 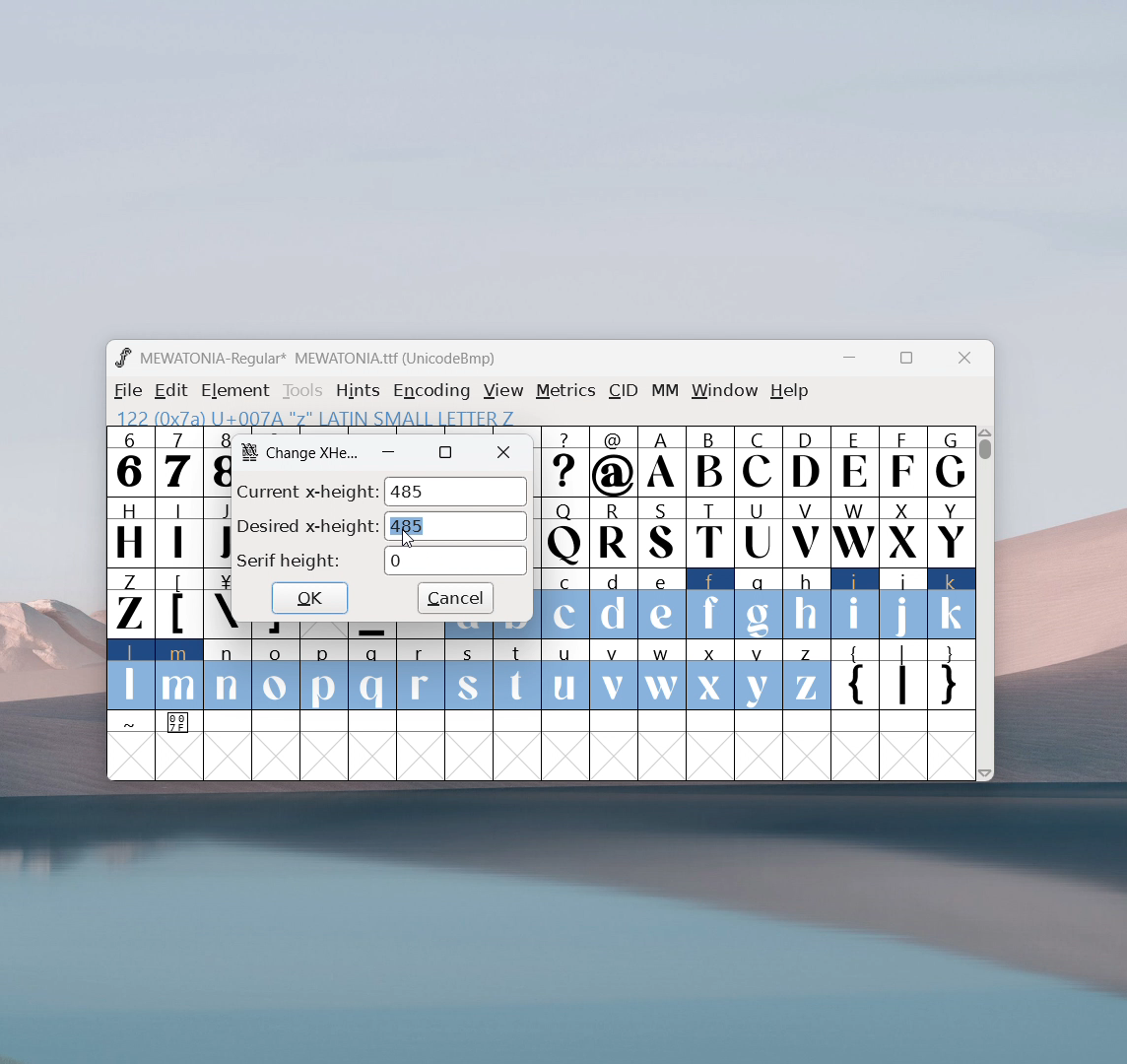 I want to click on \, so click(x=219, y=604).